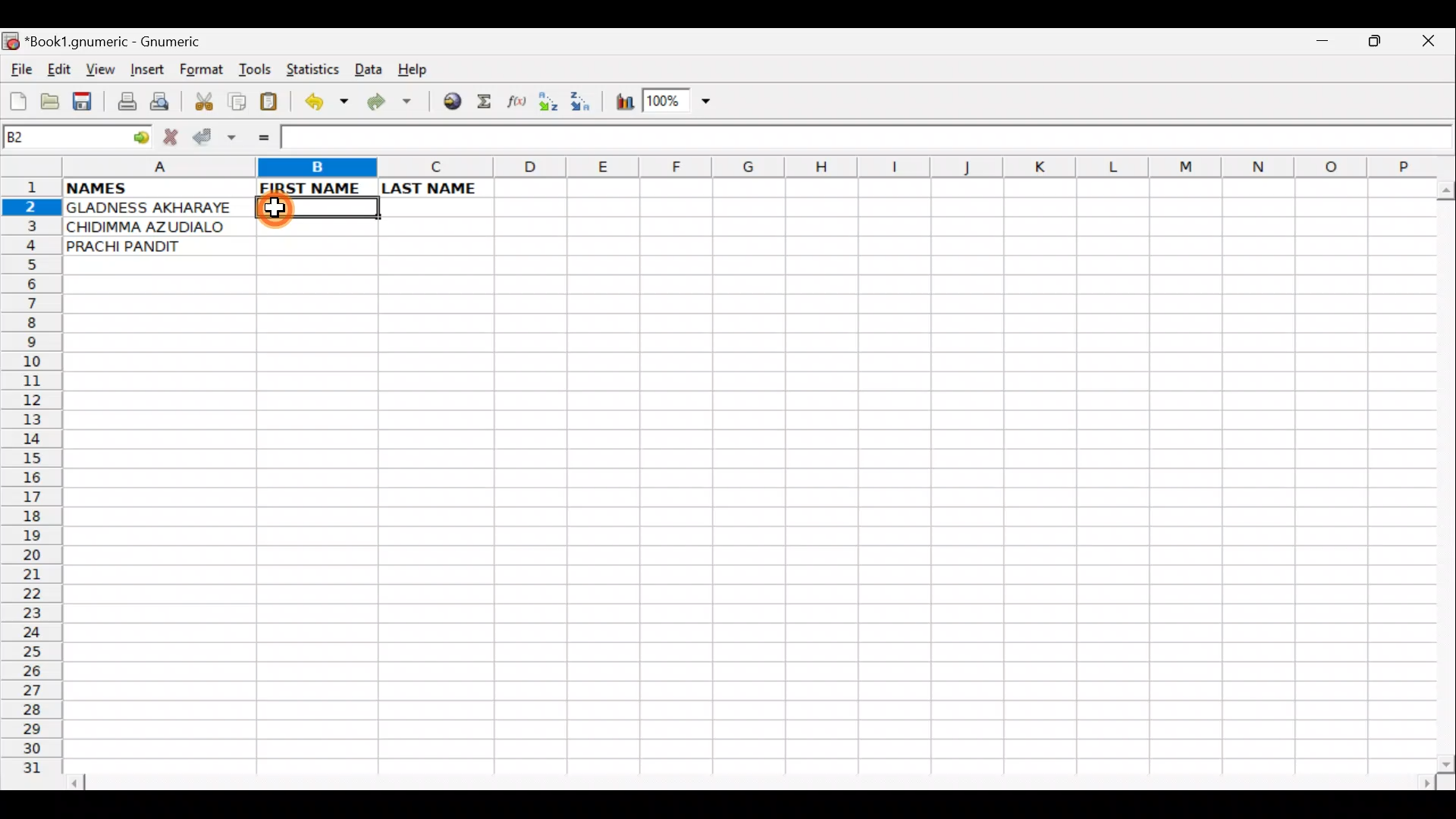 The image size is (1456, 819). I want to click on go to, so click(140, 135).